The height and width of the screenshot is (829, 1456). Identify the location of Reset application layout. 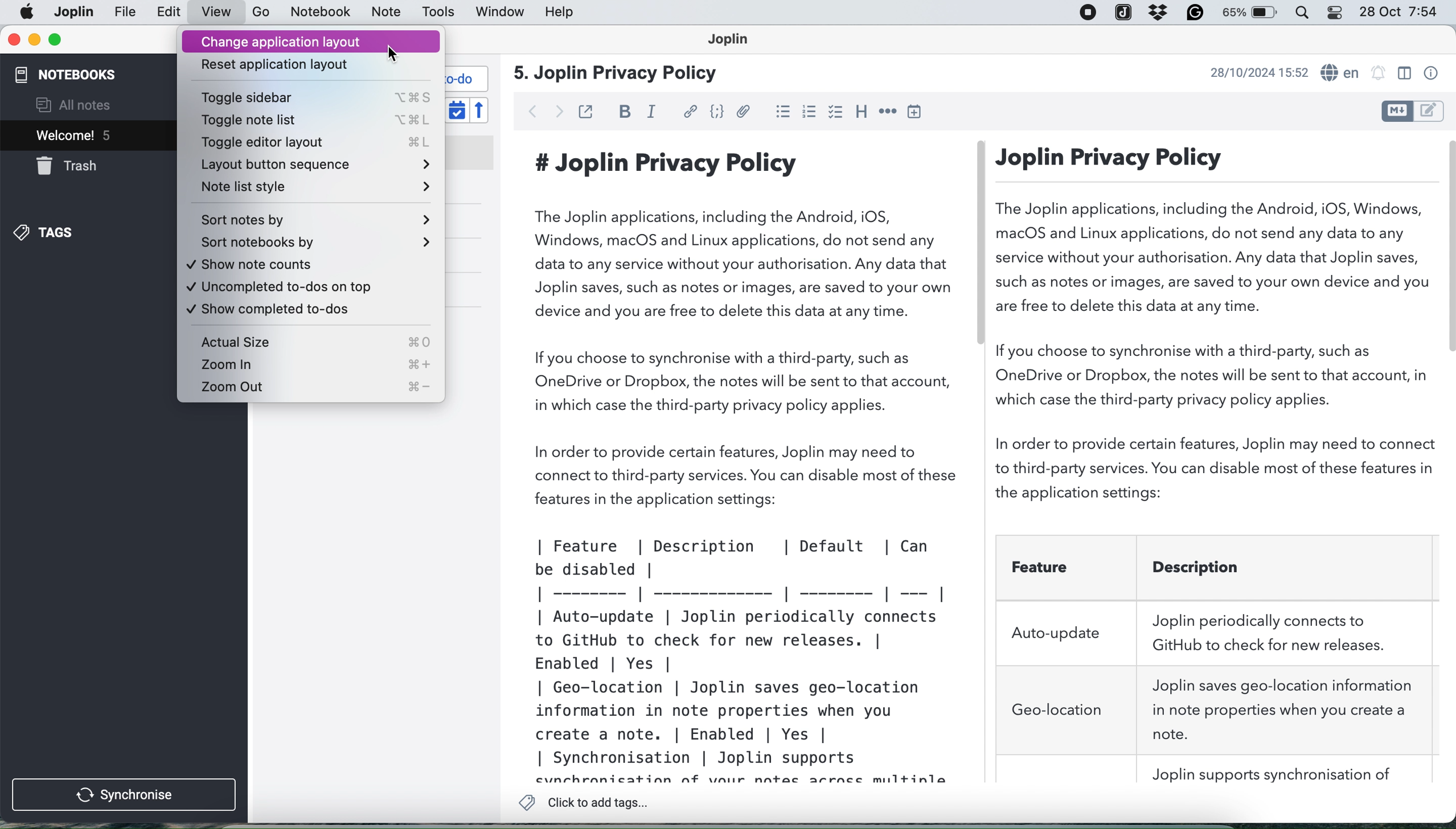
(309, 65).